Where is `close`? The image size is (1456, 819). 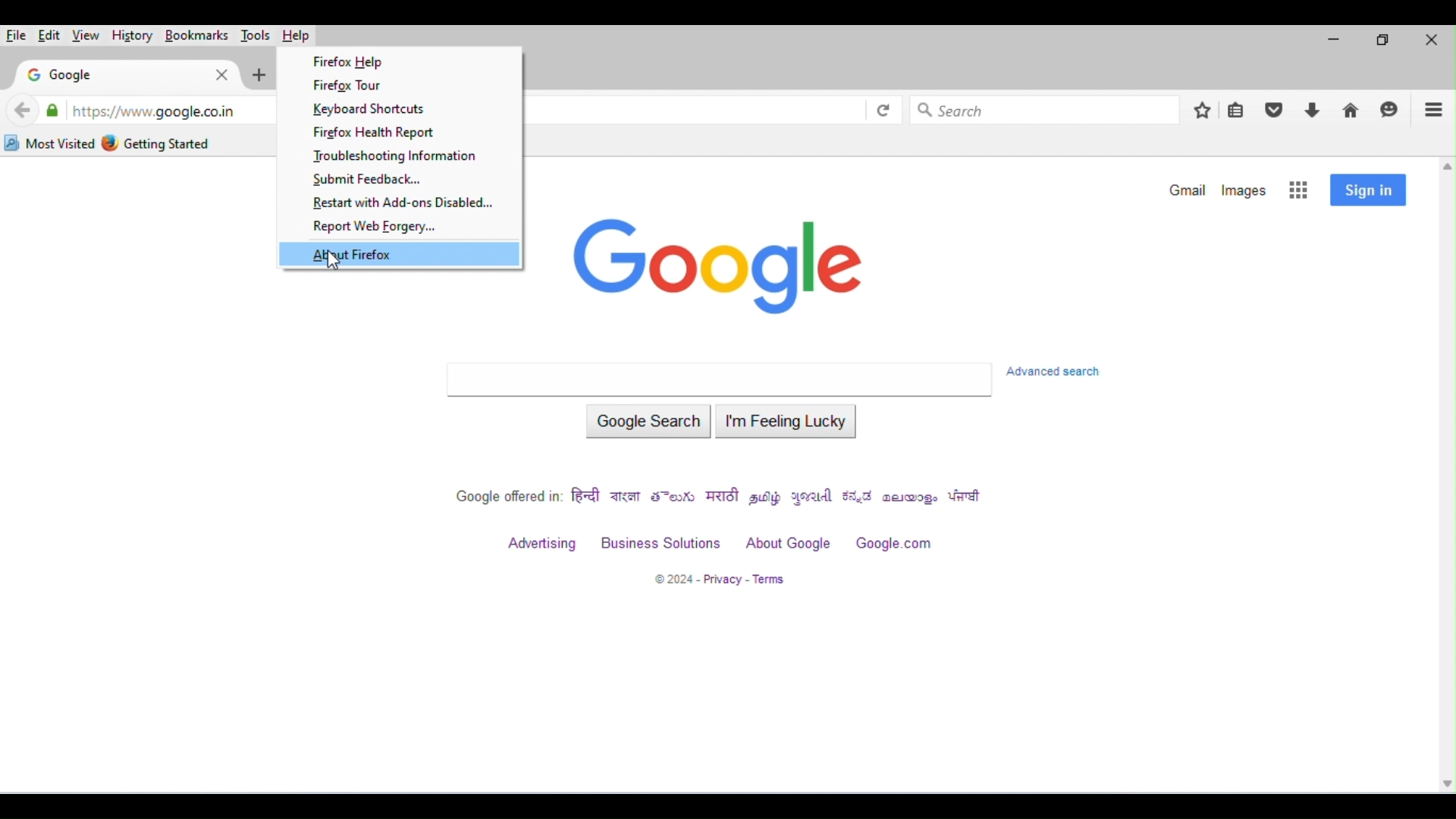 close is located at coordinates (1430, 40).